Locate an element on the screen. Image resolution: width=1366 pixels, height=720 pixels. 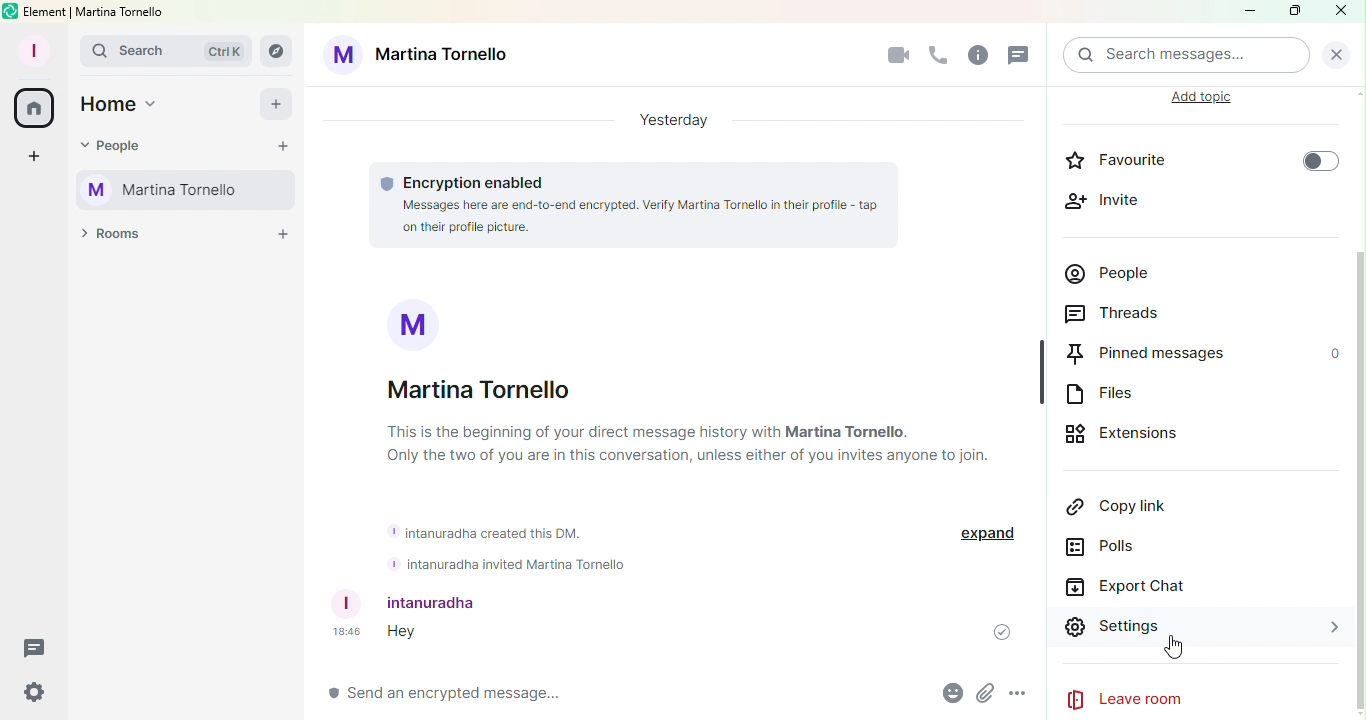
Home is located at coordinates (34, 111).